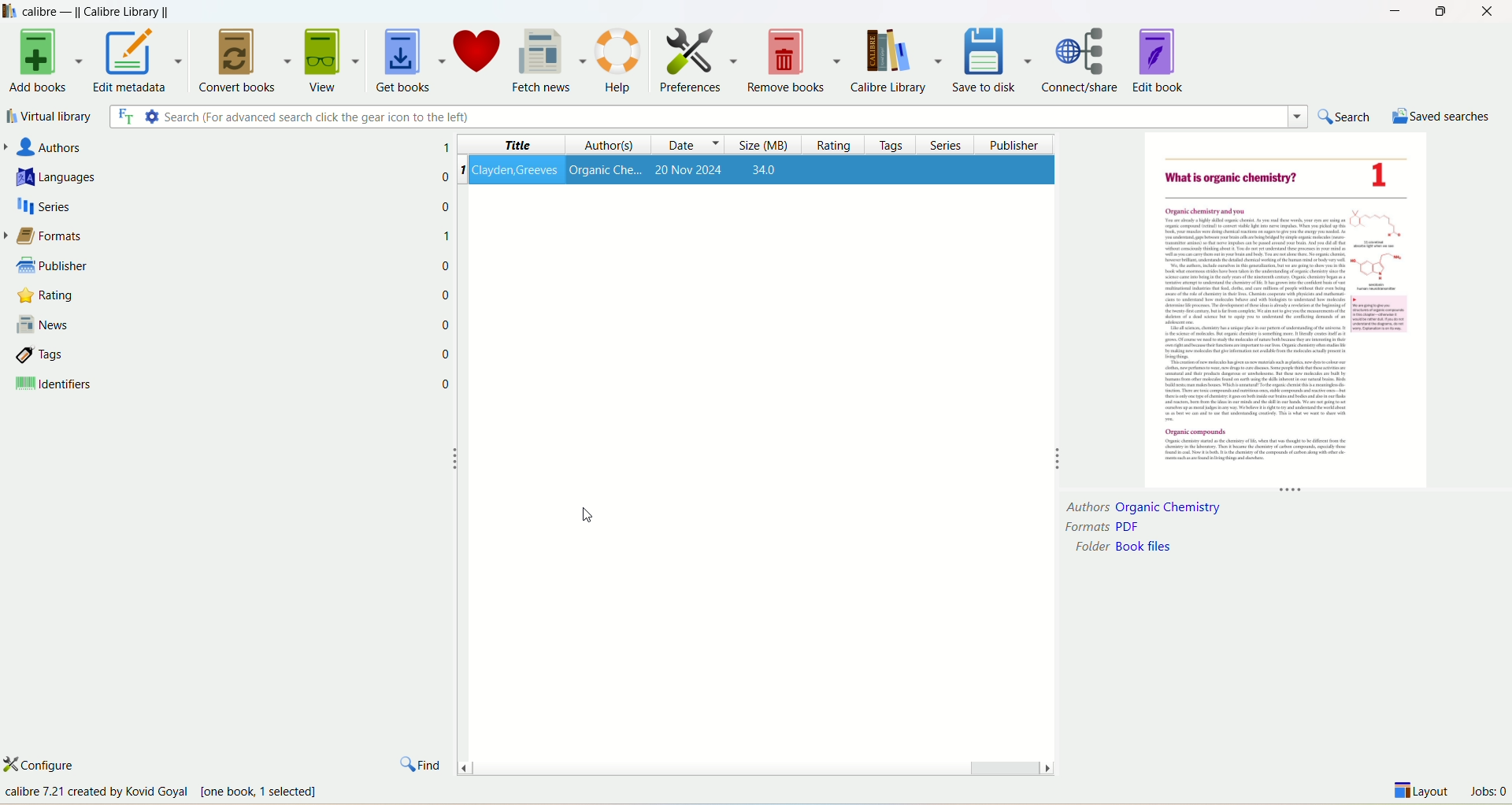 Image resolution: width=1512 pixels, height=805 pixels. I want to click on edit metadata, so click(139, 63).